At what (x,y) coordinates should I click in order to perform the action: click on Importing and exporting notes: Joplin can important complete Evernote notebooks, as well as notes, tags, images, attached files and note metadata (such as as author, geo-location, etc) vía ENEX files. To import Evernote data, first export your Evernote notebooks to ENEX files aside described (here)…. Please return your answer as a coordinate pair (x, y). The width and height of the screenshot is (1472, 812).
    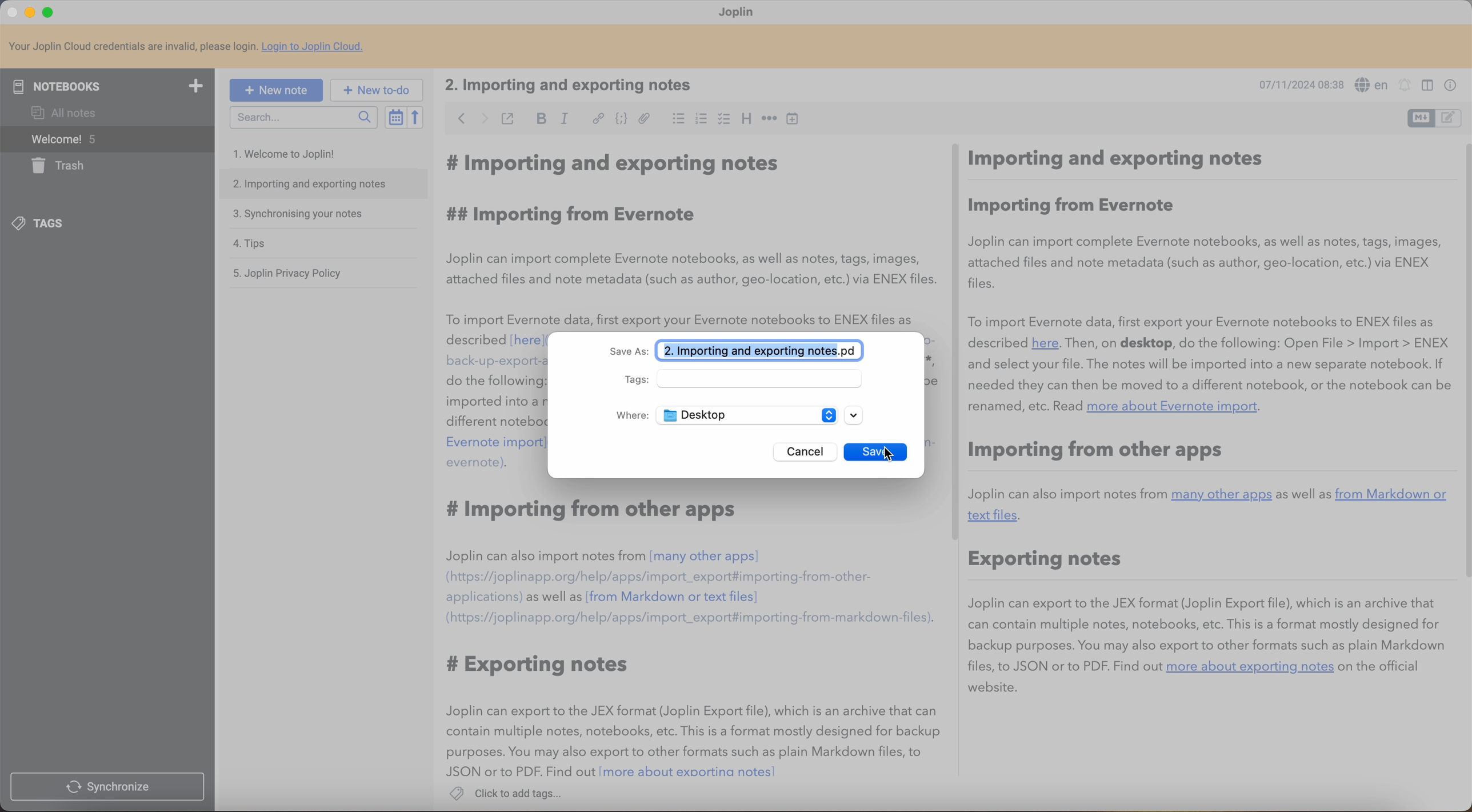
    Looking at the image, I should click on (1207, 420).